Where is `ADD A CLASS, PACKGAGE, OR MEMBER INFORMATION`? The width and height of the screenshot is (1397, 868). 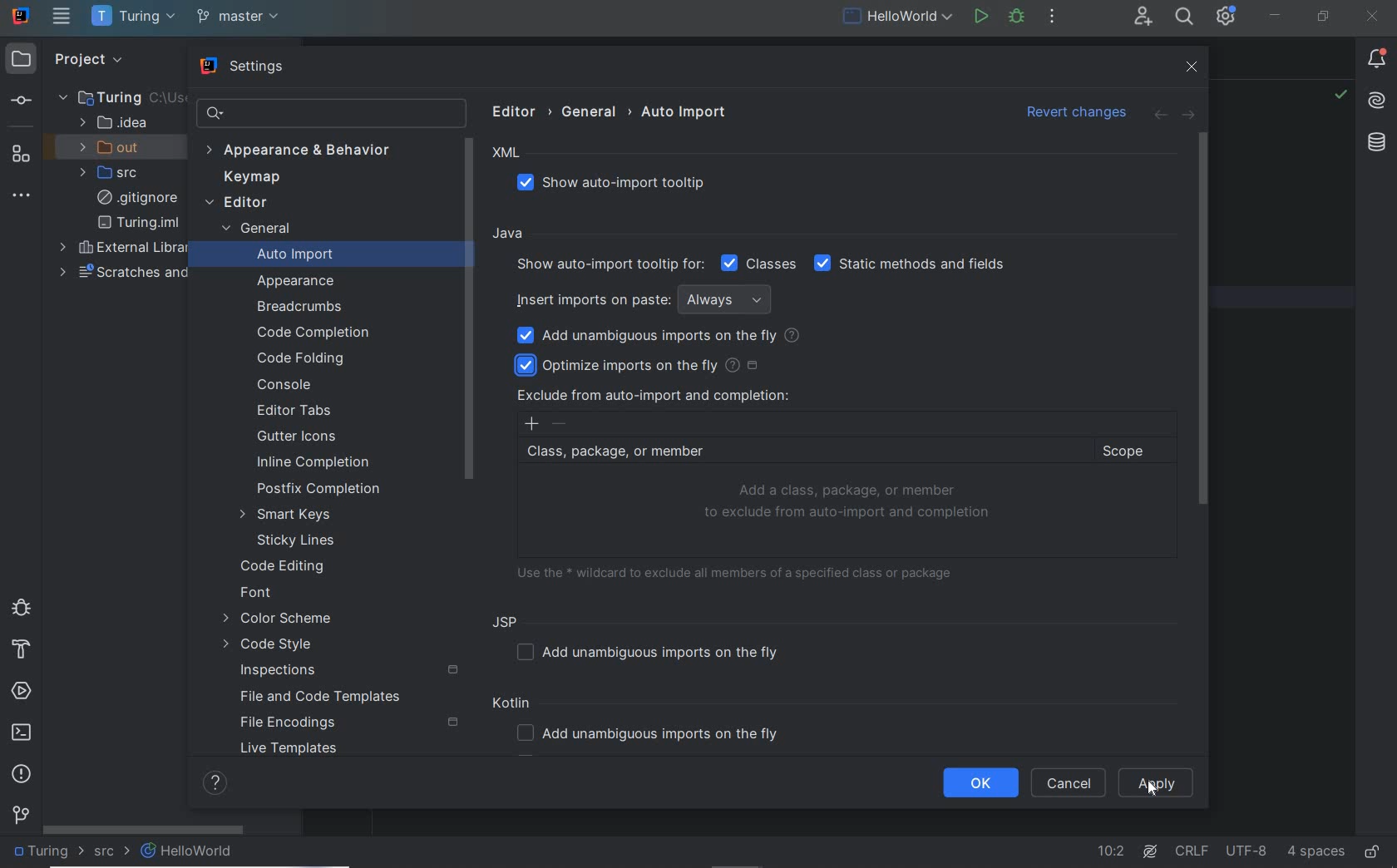 ADD A CLASS, PACKGAGE, OR MEMBER INFORMATION is located at coordinates (850, 502).